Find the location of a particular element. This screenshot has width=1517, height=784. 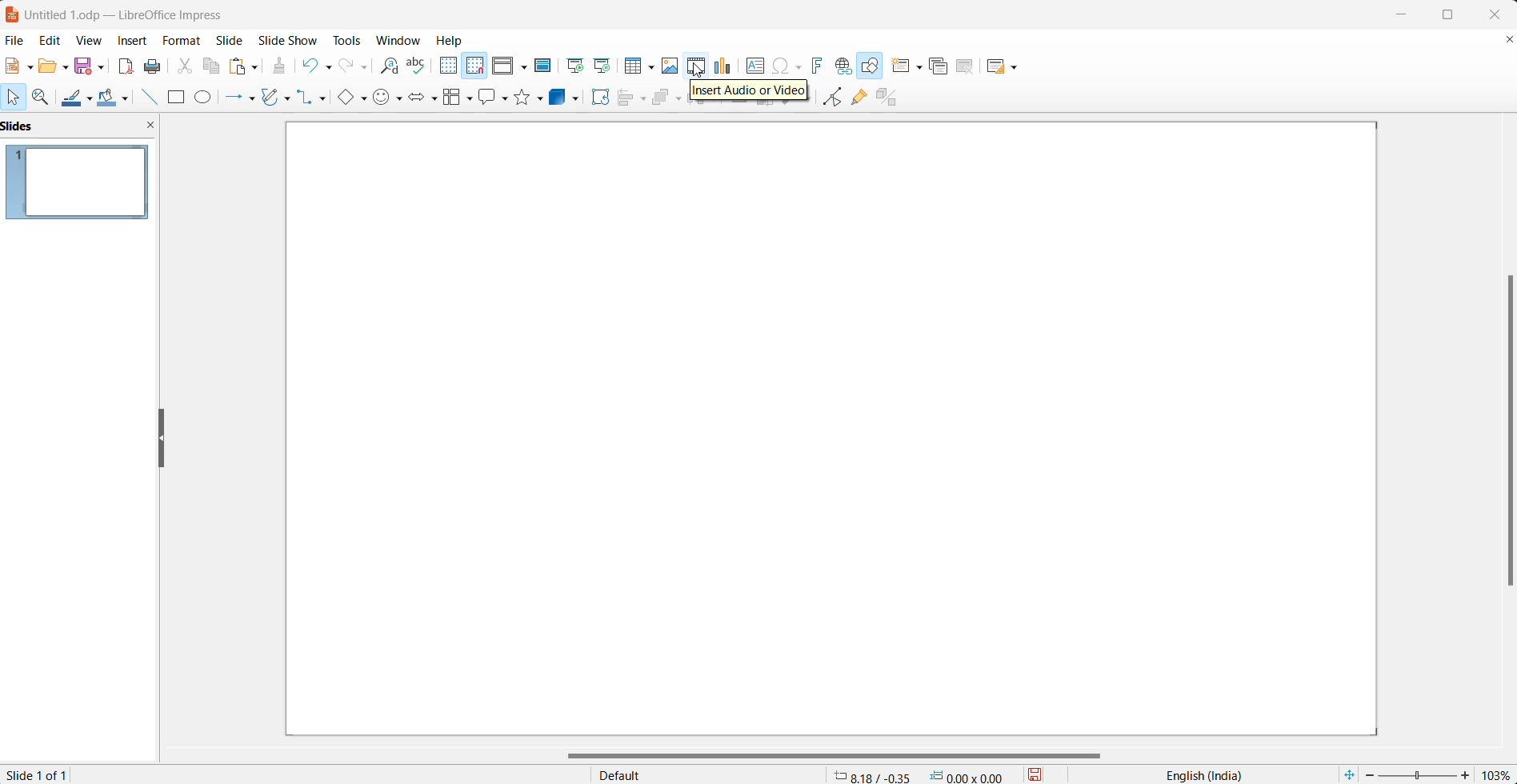

slide layout options dropdown button is located at coordinates (1016, 68).